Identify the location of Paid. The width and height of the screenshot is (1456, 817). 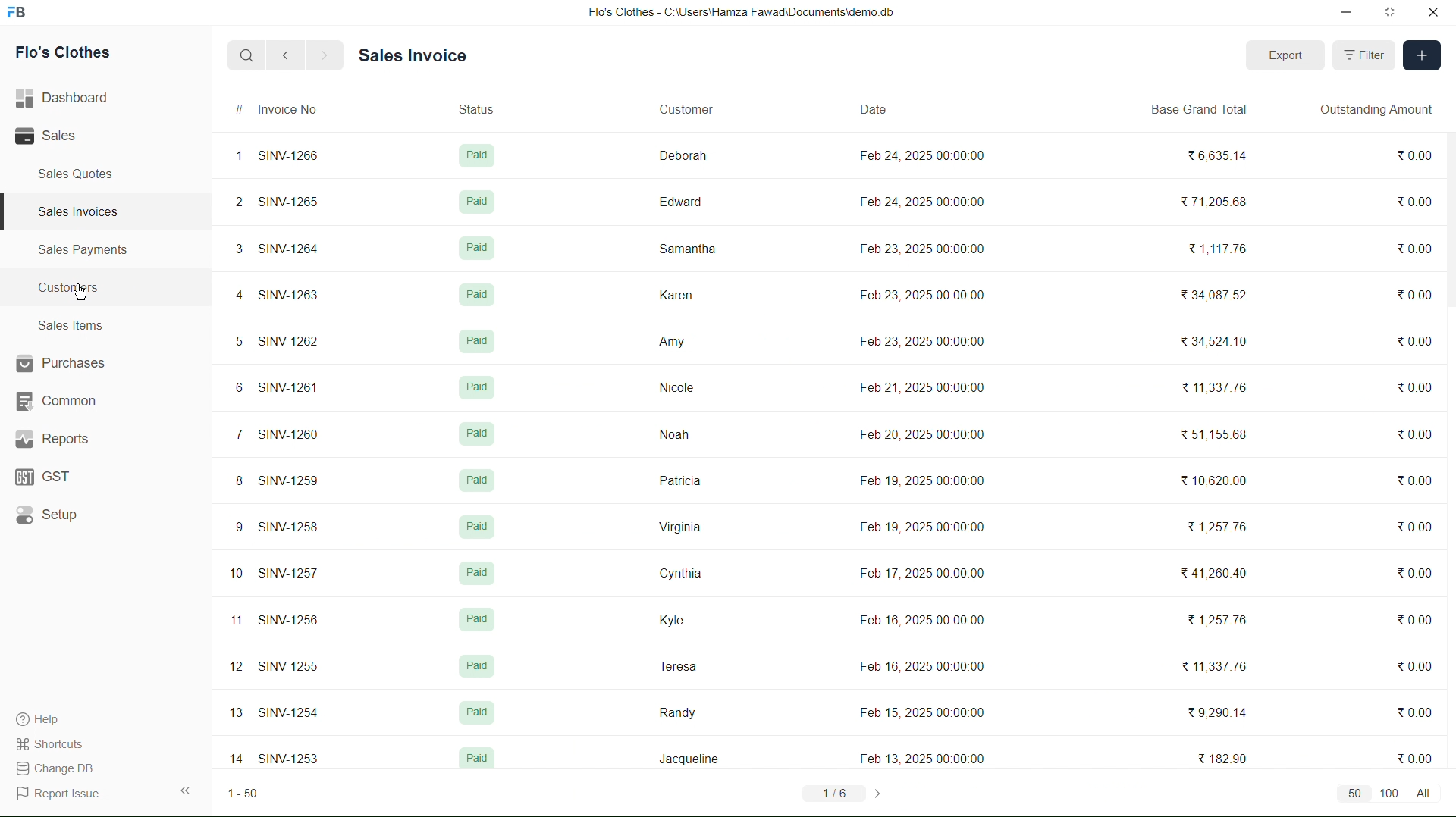
(480, 665).